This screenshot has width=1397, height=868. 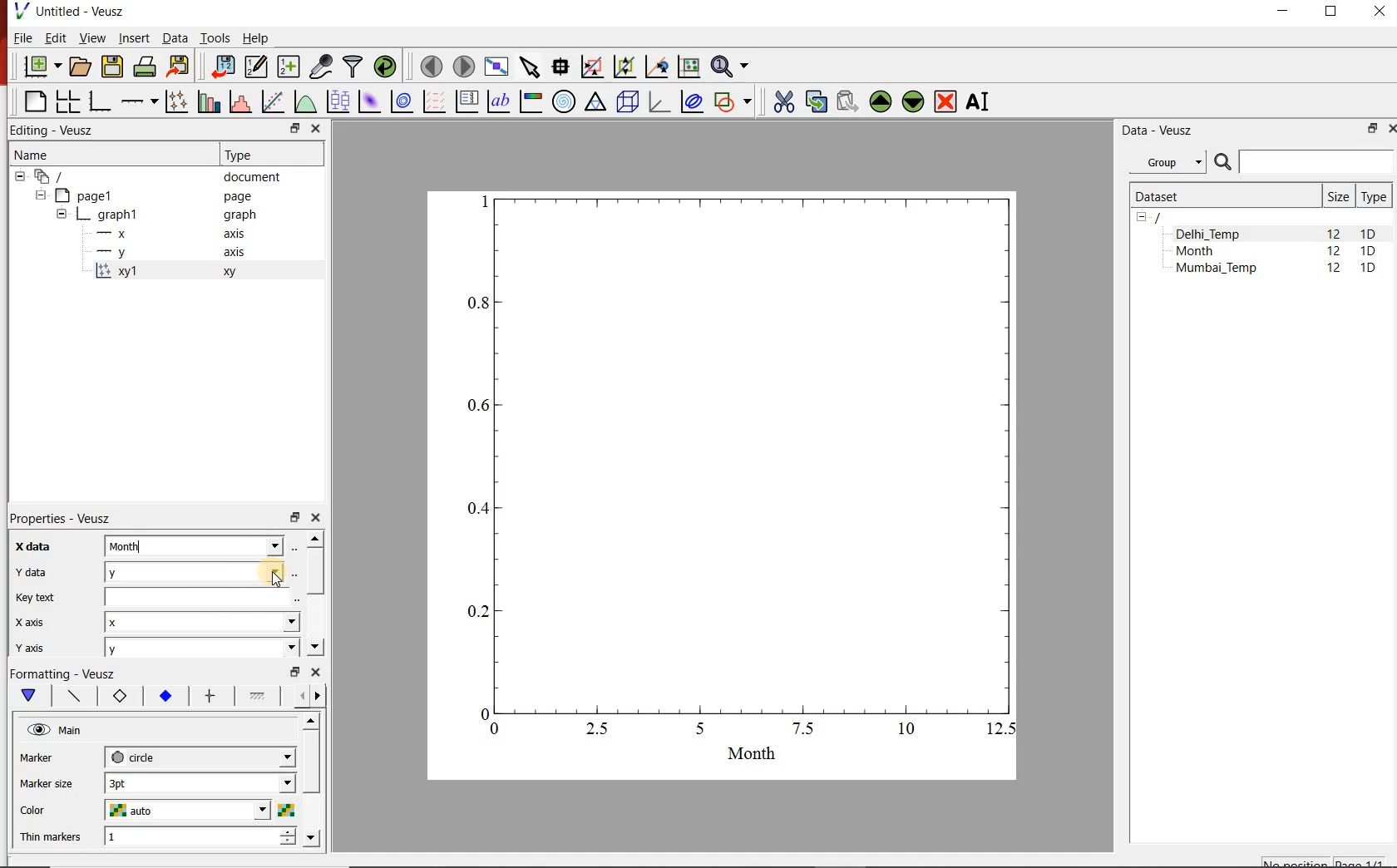 I want to click on circle, so click(x=200, y=757).